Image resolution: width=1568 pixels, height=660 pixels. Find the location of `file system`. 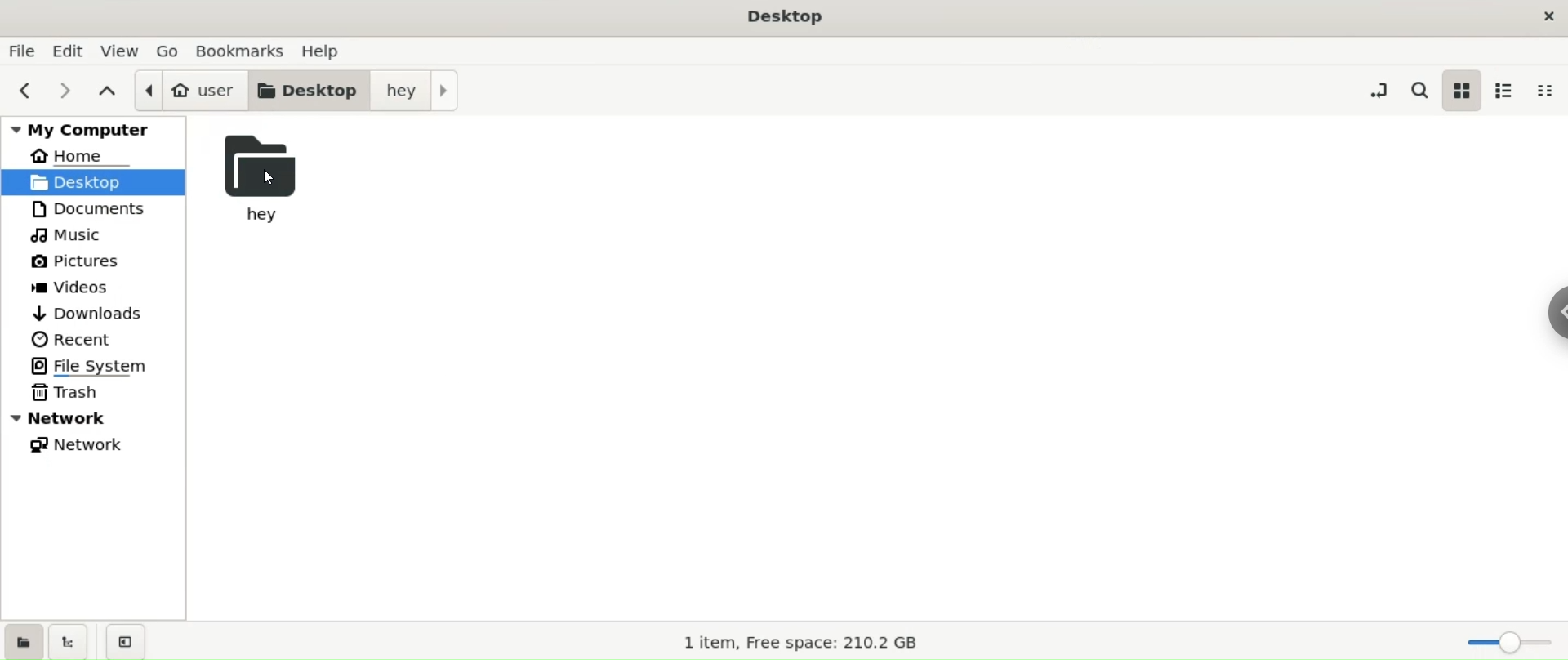

file system is located at coordinates (101, 366).